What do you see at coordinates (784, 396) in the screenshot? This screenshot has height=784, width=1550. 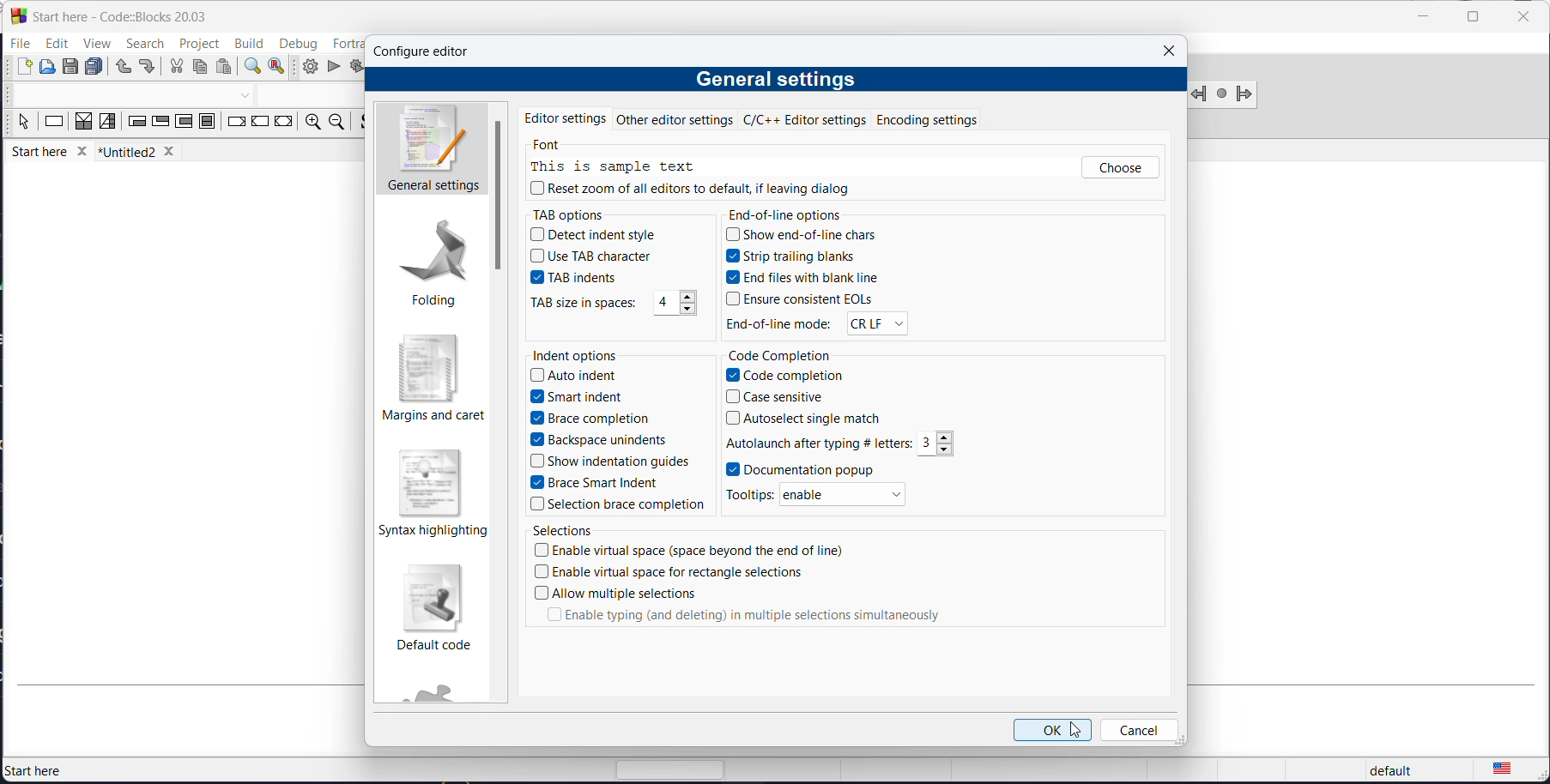 I see `case sensitive ` at bounding box center [784, 396].